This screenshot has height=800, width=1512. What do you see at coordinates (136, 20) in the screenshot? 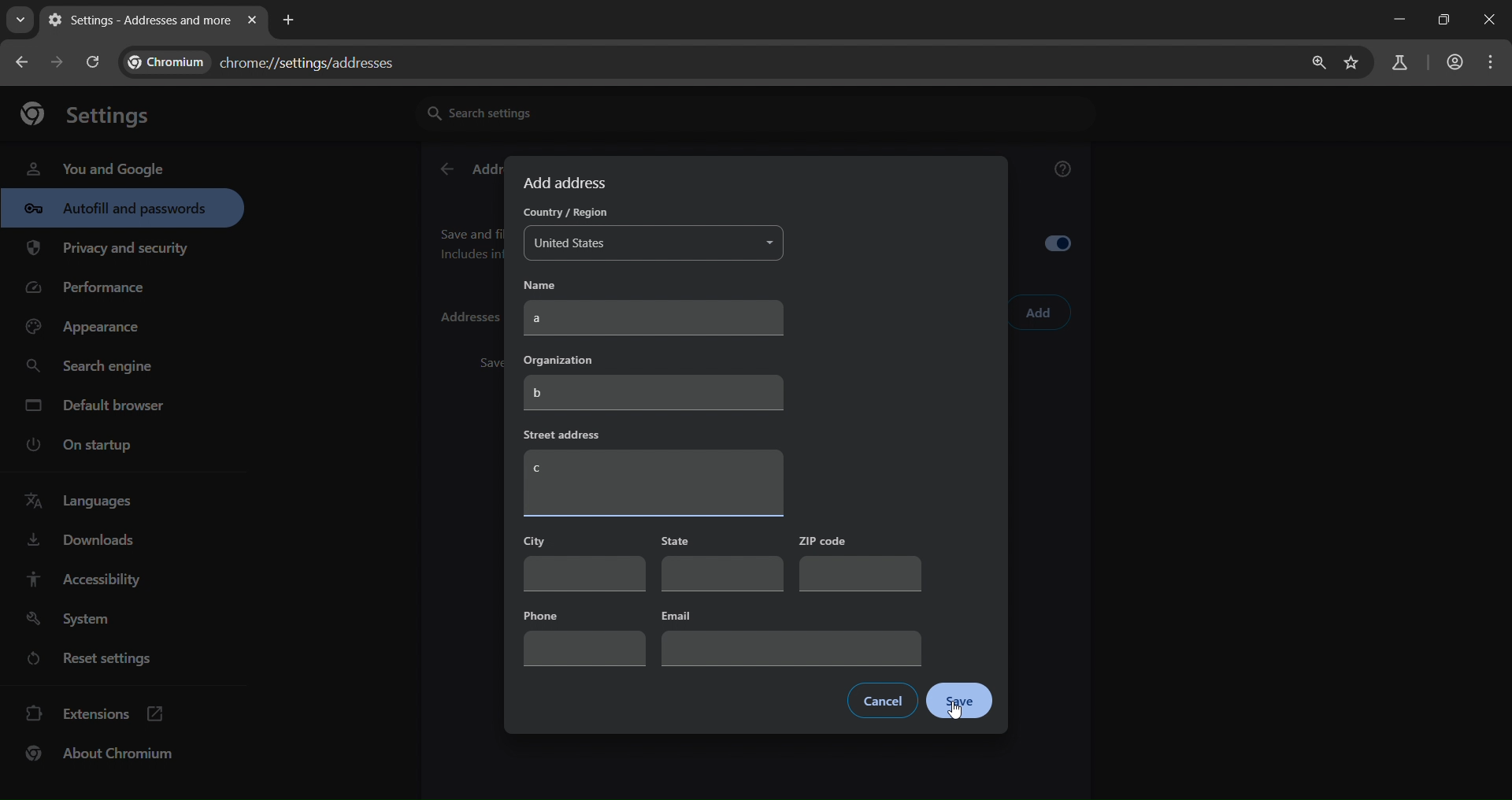
I see `current page` at bounding box center [136, 20].